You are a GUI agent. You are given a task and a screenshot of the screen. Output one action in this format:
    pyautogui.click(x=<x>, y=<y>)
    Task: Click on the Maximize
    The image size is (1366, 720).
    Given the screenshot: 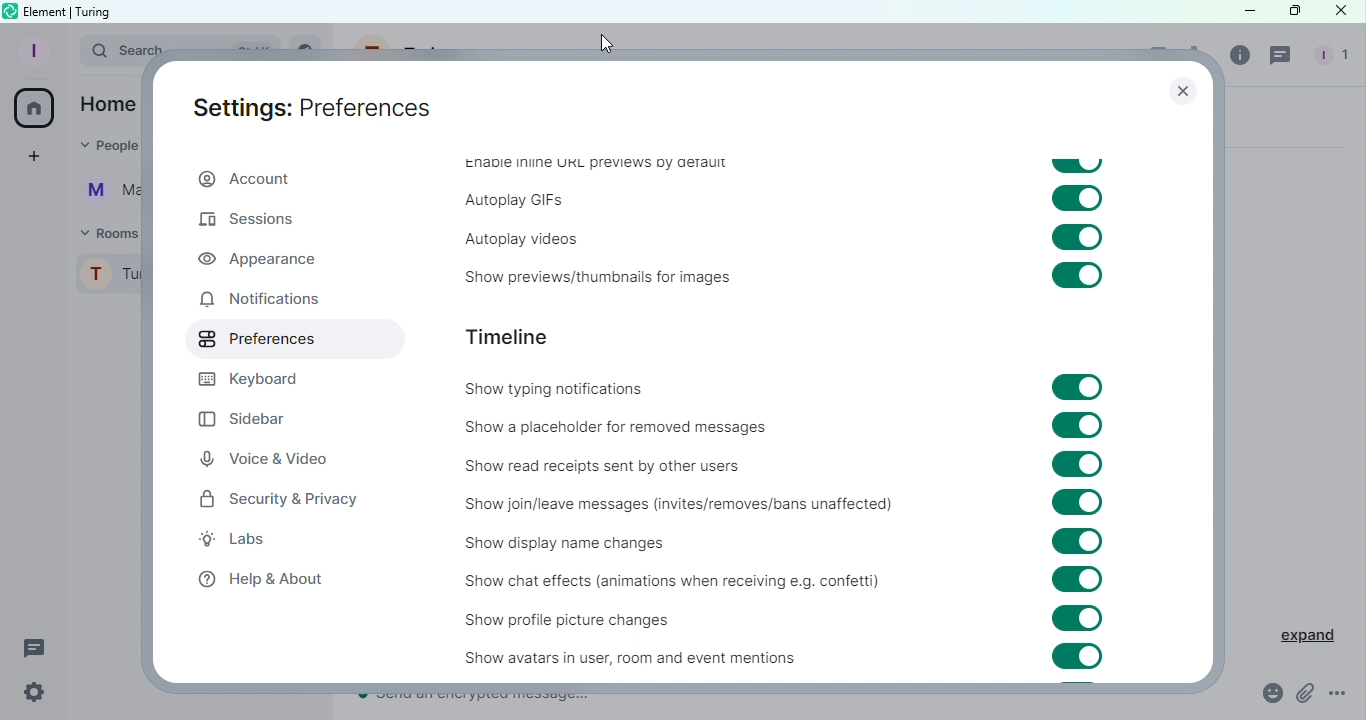 What is the action you would take?
    pyautogui.click(x=1290, y=12)
    